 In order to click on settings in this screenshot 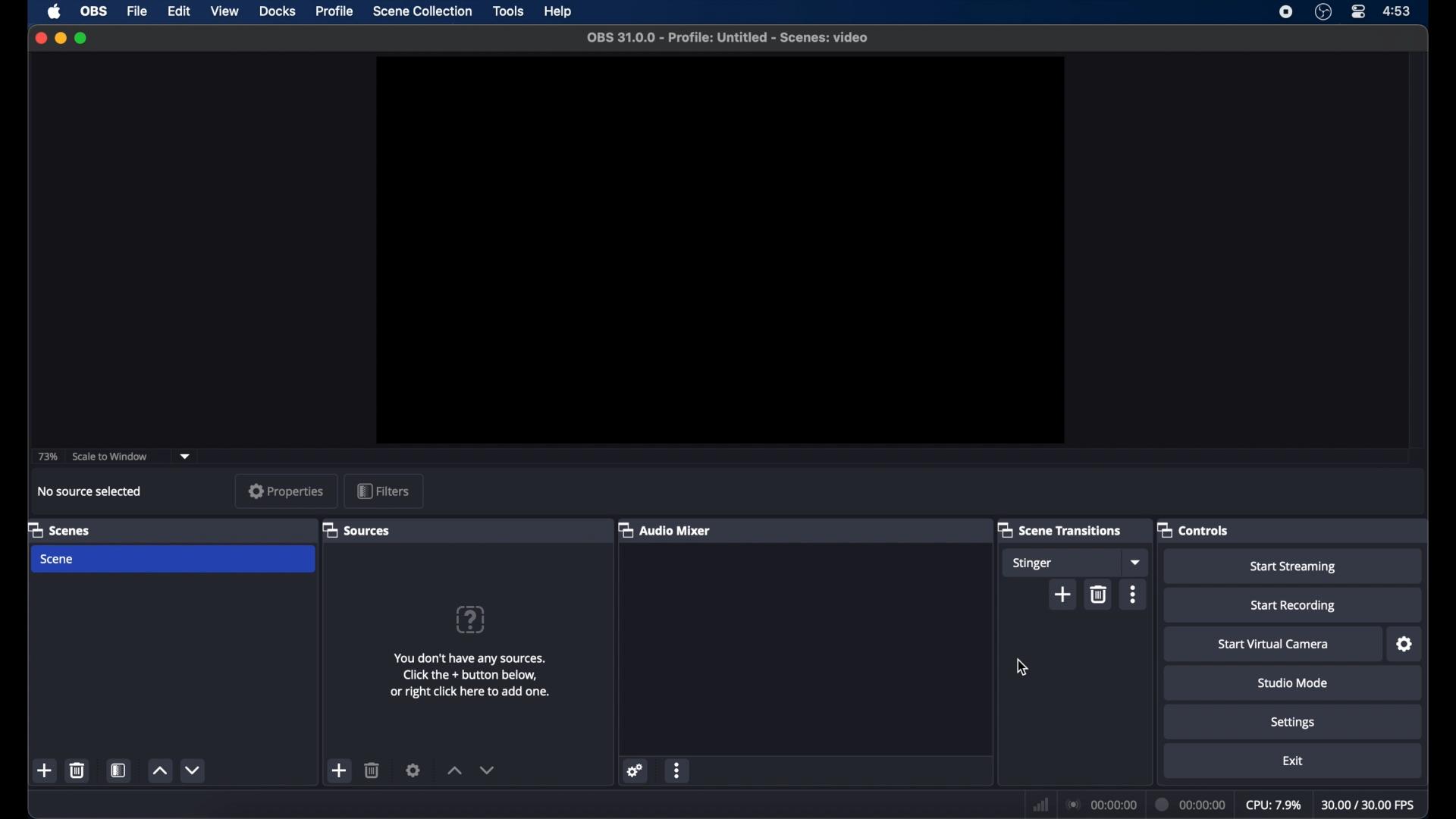, I will do `click(1405, 644)`.